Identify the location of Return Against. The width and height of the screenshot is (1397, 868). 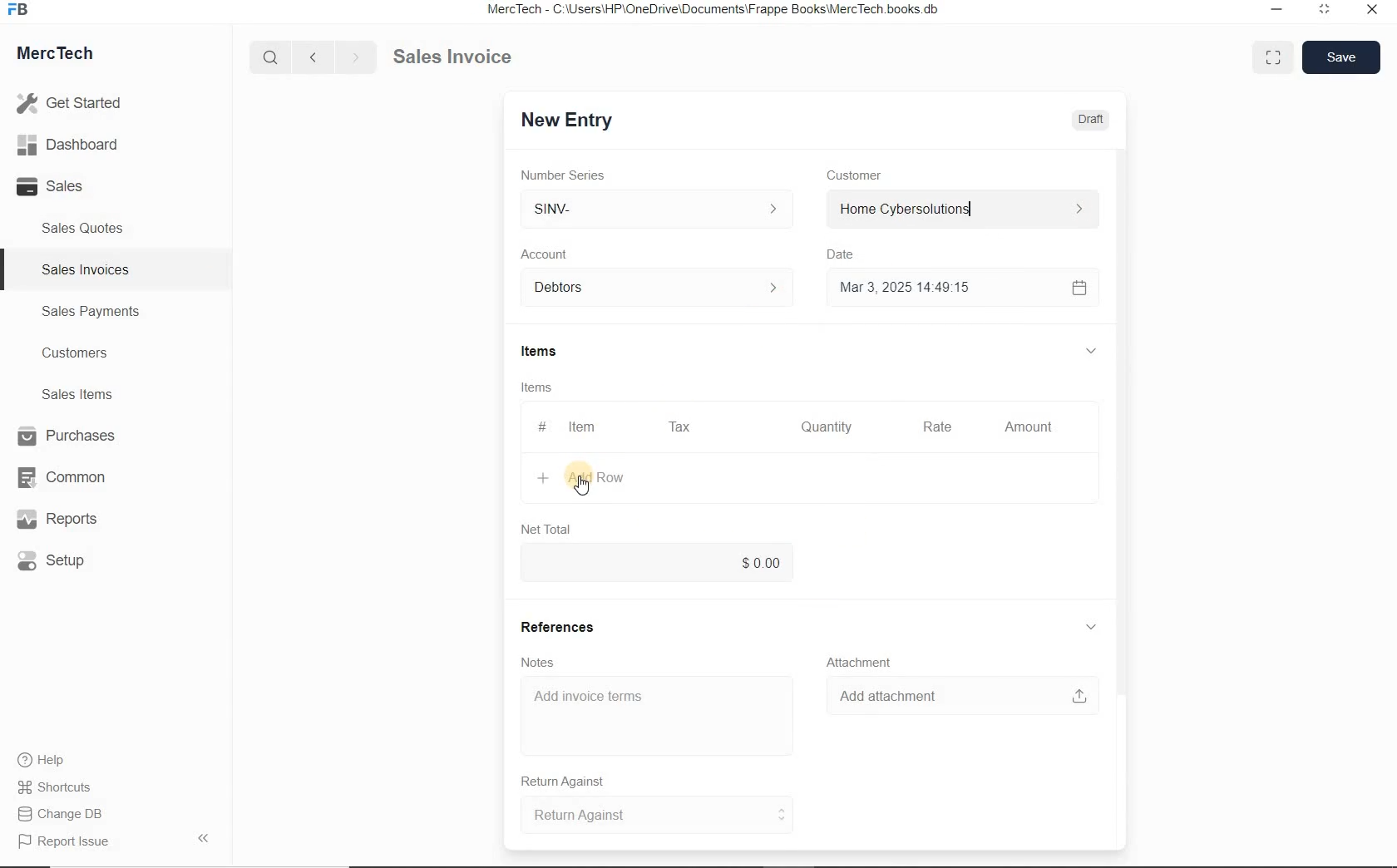
(658, 815).